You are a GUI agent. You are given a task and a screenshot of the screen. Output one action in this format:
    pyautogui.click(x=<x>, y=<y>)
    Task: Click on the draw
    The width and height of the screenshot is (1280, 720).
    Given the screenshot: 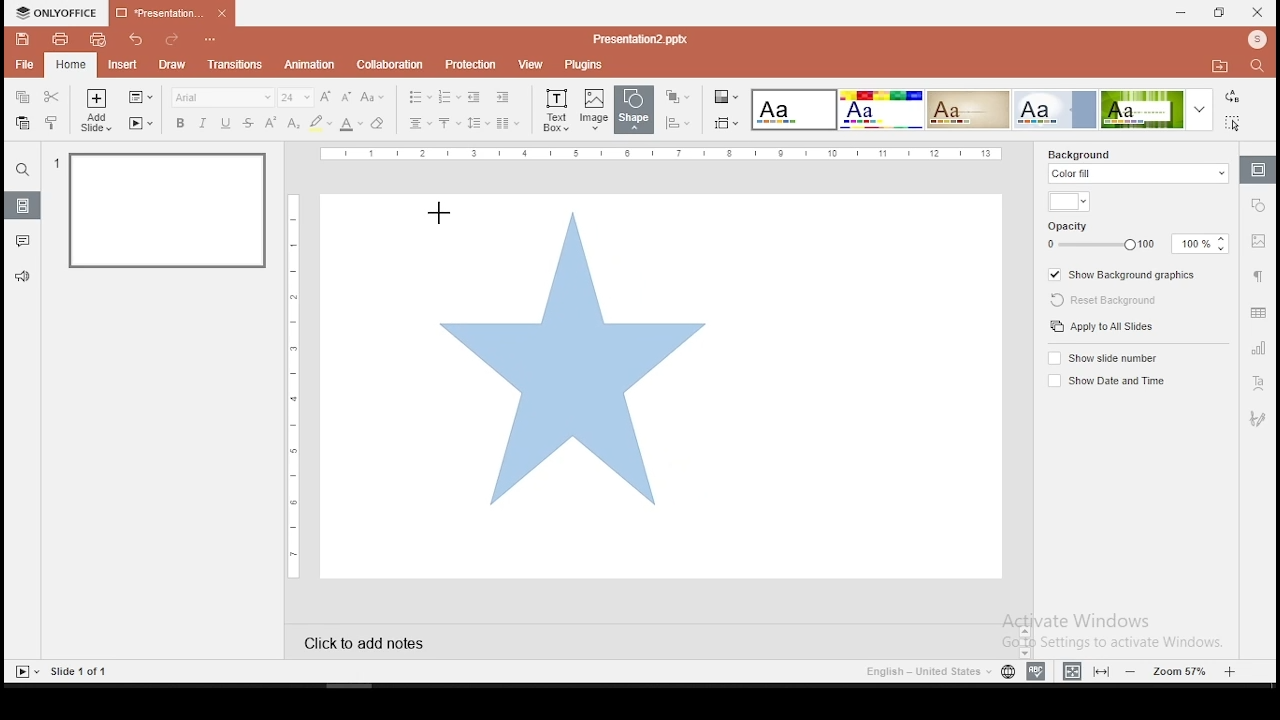 What is the action you would take?
    pyautogui.click(x=173, y=65)
    